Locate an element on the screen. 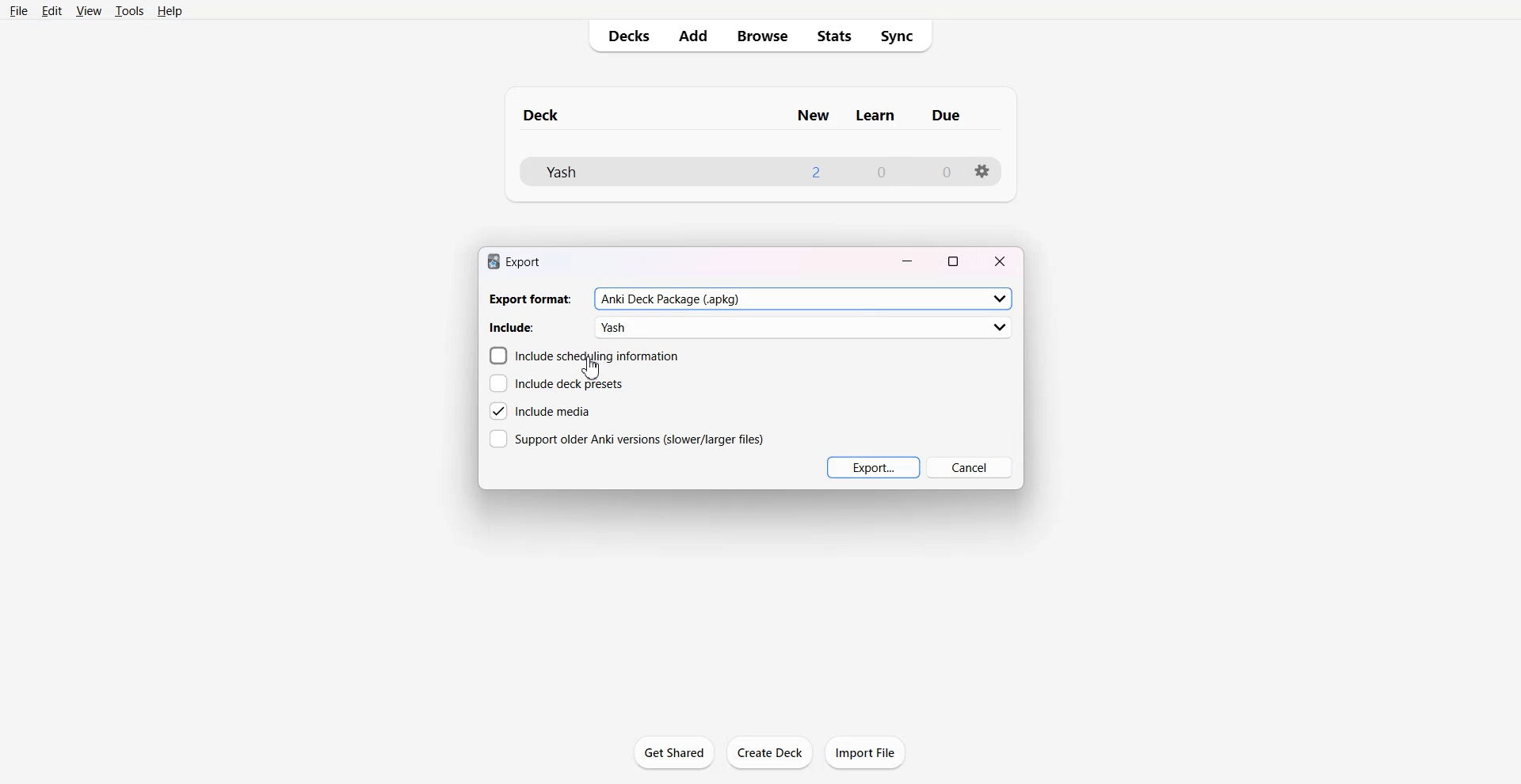  Create Deck is located at coordinates (769, 752).